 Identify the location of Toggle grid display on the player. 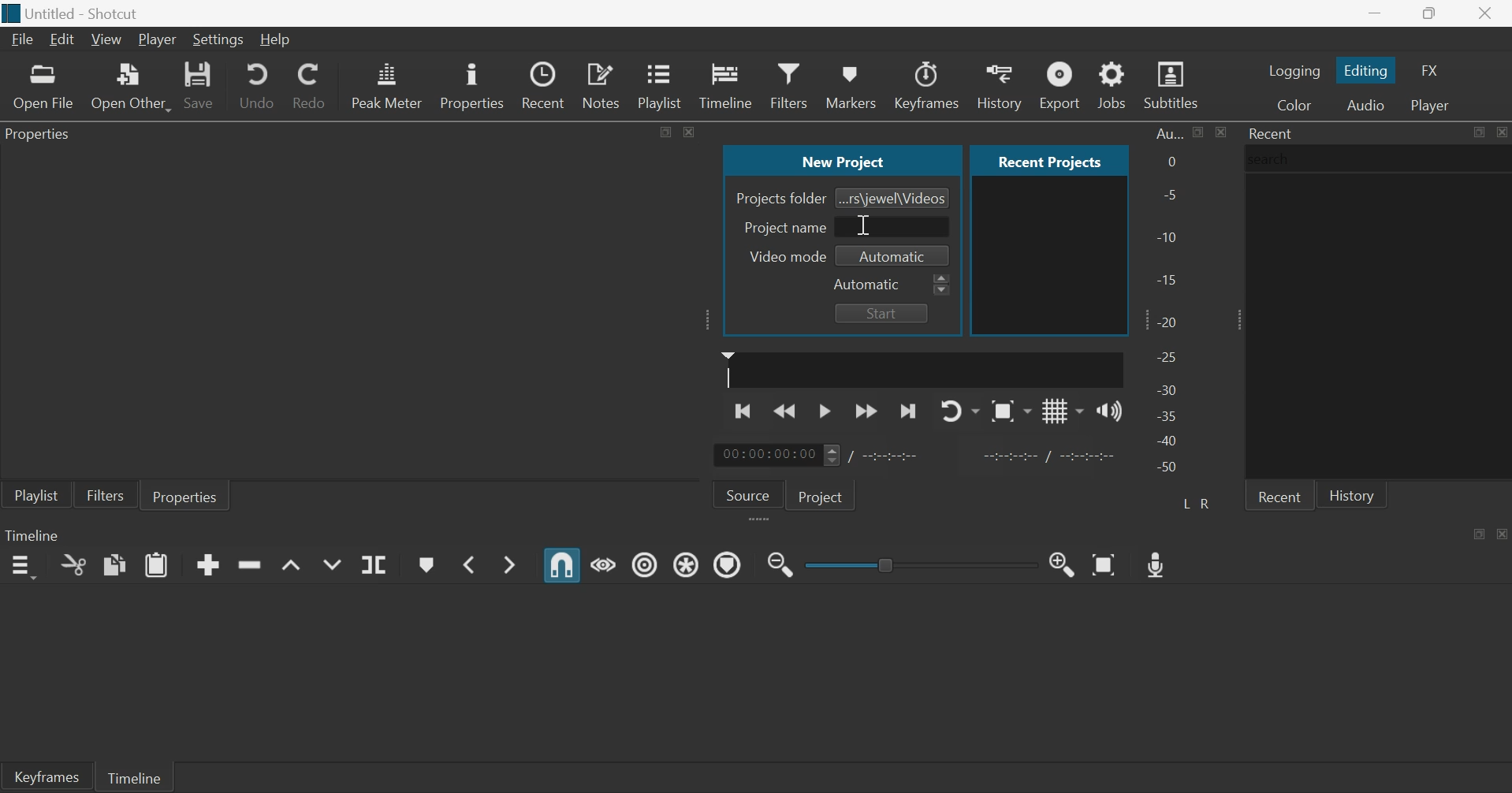
(1063, 410).